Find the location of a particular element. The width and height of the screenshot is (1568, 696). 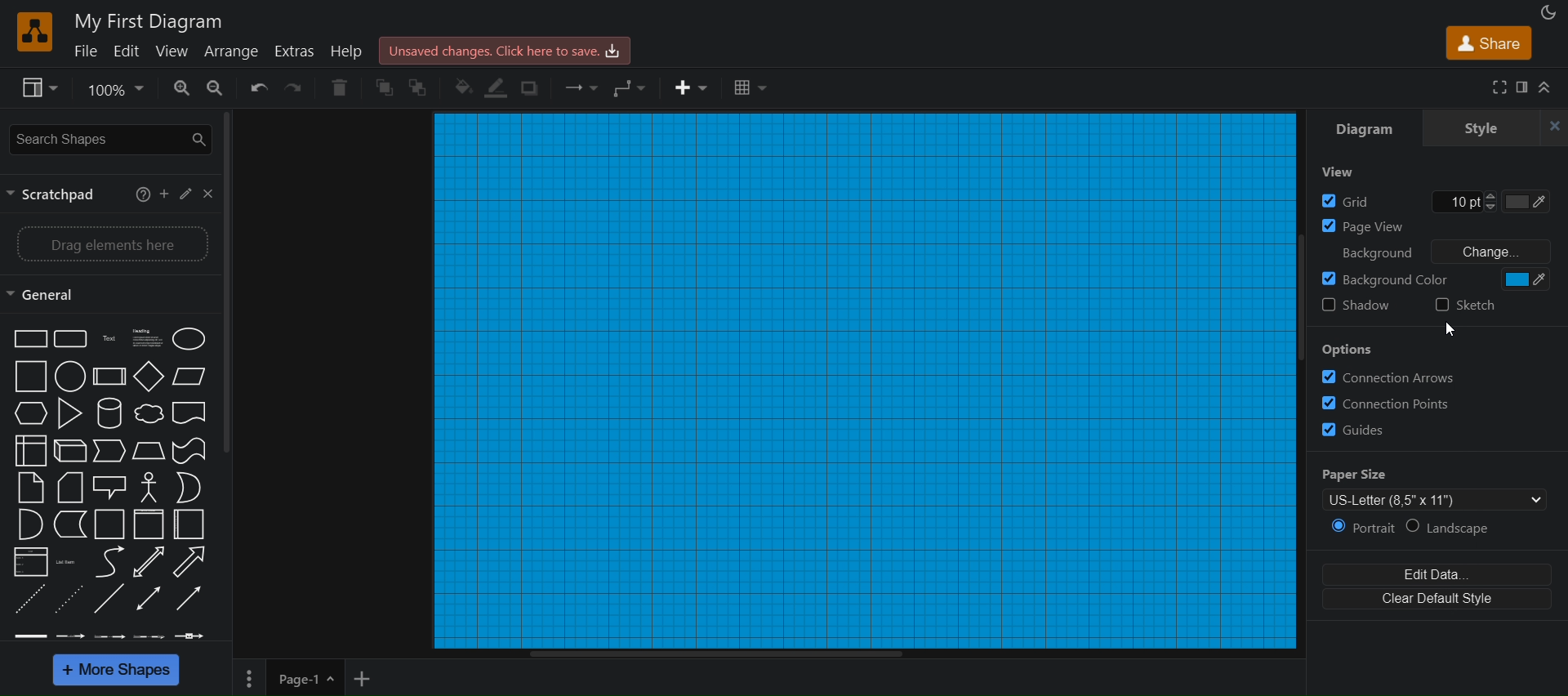

Connection Points is located at coordinates (1386, 403).